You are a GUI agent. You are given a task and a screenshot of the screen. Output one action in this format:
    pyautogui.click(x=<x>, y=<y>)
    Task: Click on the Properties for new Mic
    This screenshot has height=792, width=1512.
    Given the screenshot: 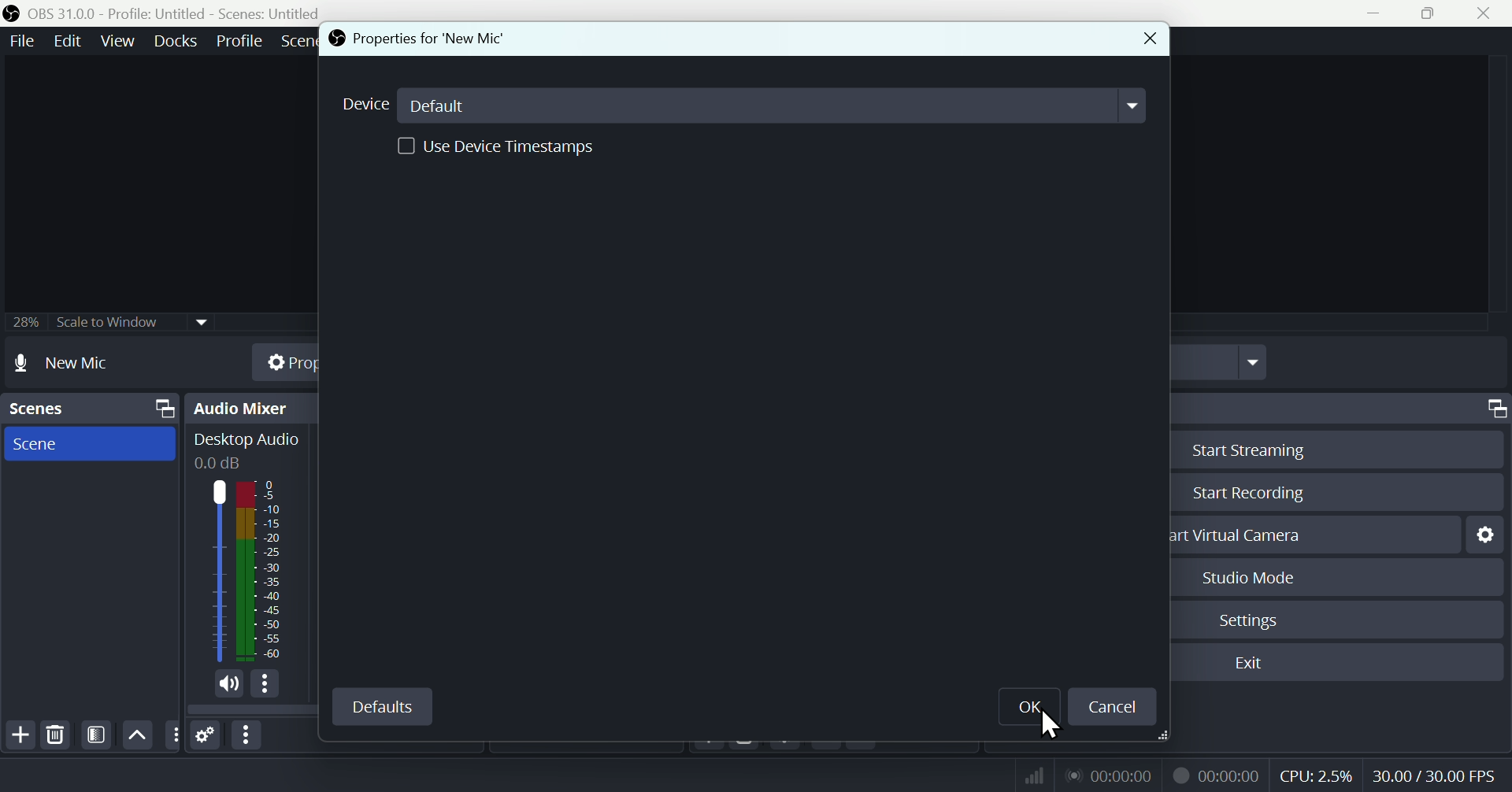 What is the action you would take?
    pyautogui.click(x=423, y=39)
    